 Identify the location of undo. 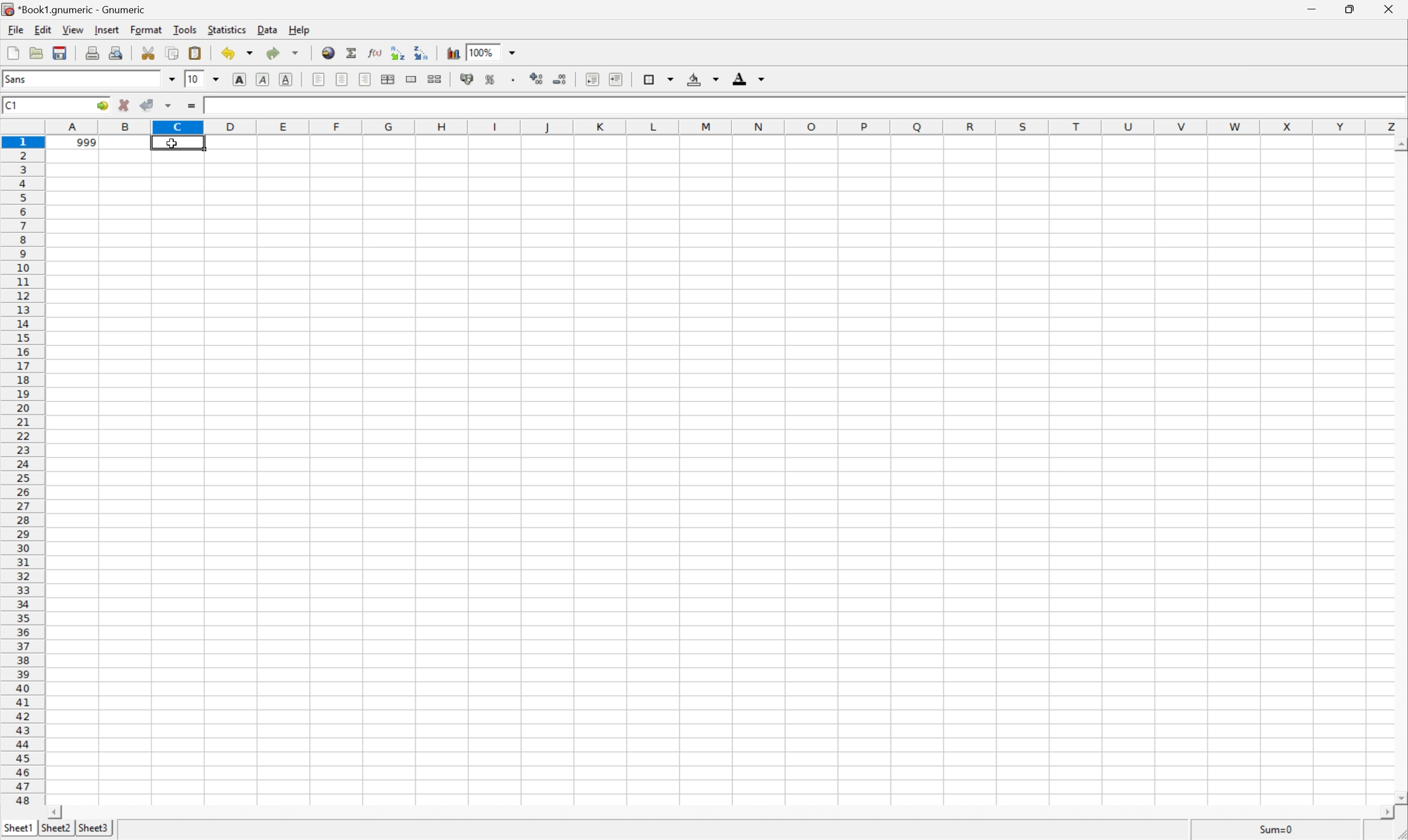
(239, 53).